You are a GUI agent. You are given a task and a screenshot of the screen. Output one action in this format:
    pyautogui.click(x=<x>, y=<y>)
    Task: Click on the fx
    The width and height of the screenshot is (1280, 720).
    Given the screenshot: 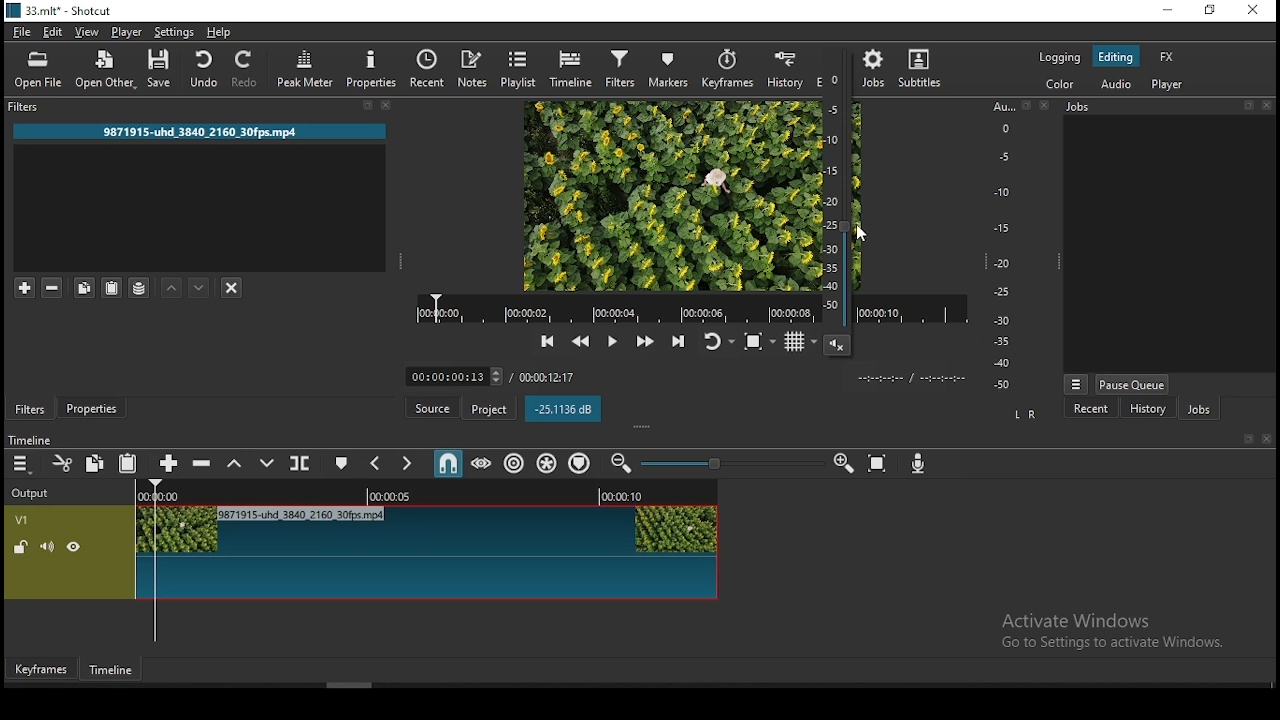 What is the action you would take?
    pyautogui.click(x=1168, y=58)
    